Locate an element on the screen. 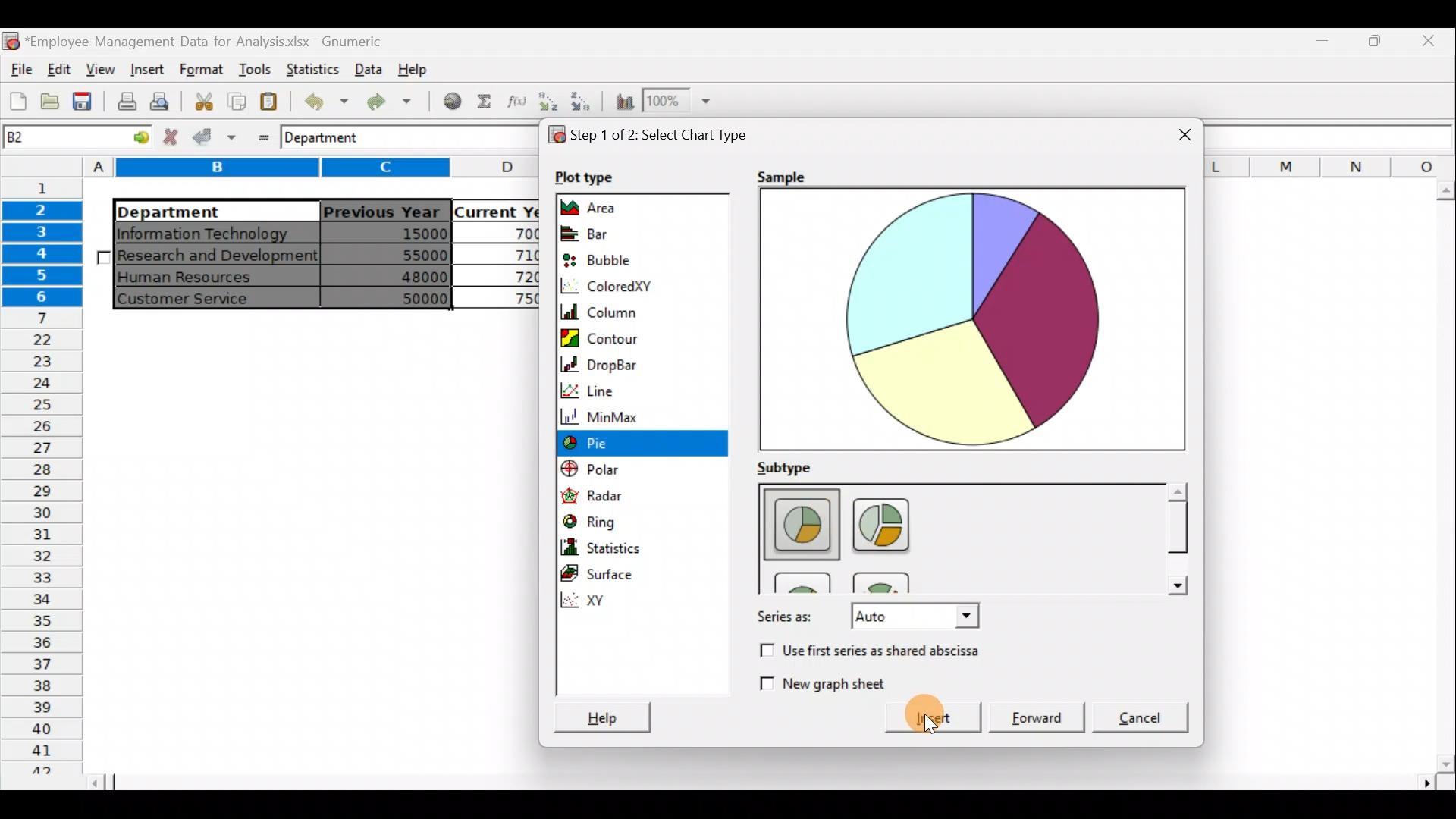 This screenshot has height=819, width=1456. Undo last action is located at coordinates (324, 101).